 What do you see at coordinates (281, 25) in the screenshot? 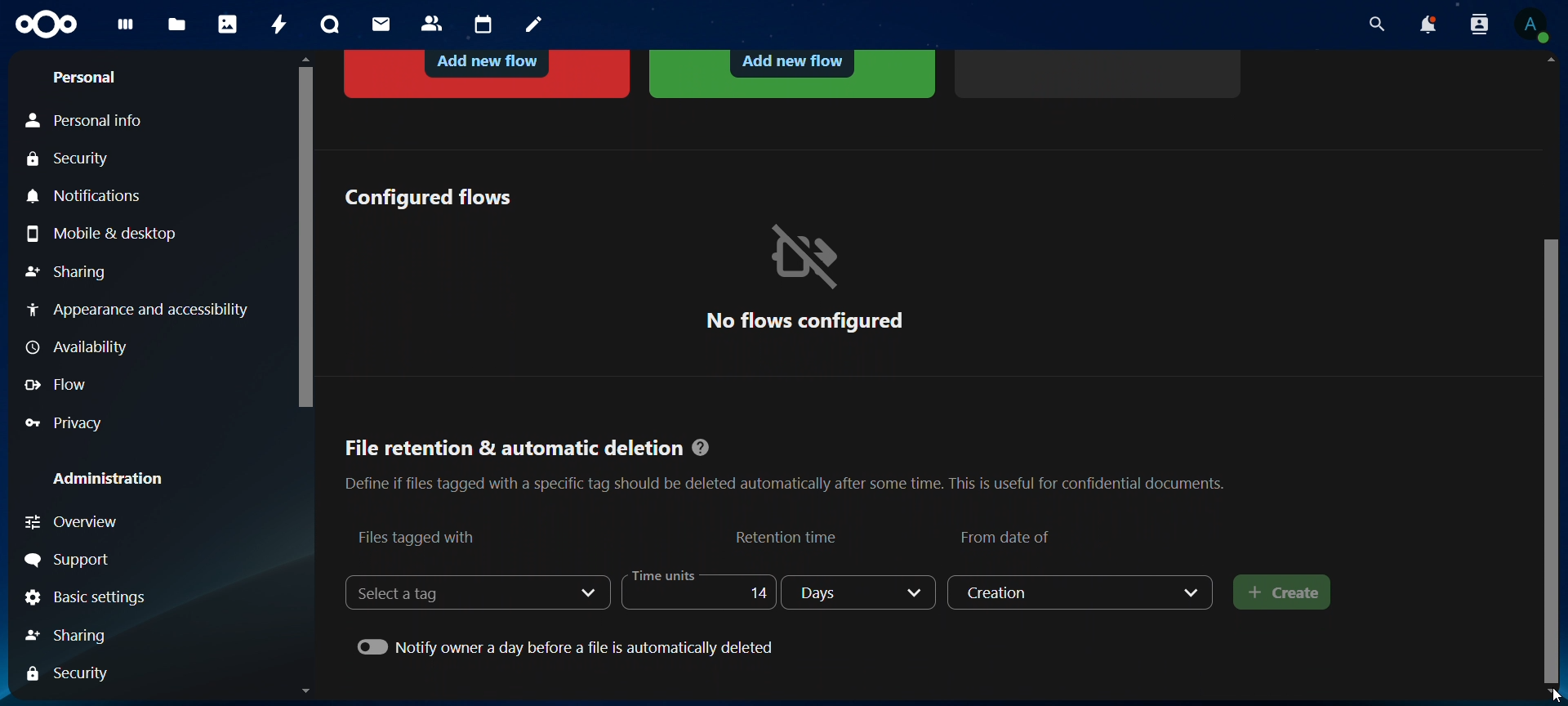
I see `activity` at bounding box center [281, 25].